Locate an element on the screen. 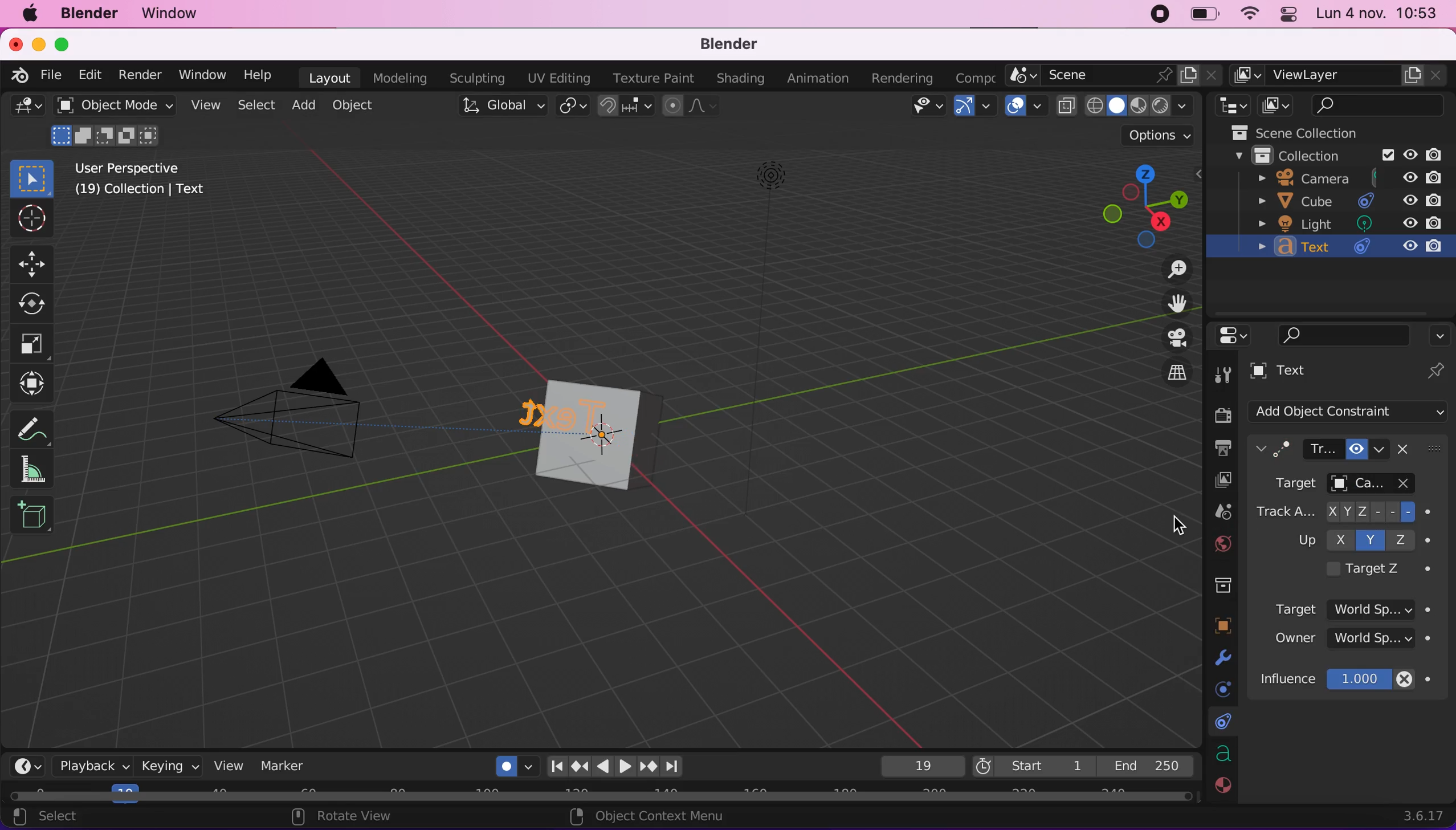 The image size is (1456, 830). mac logo is located at coordinates (34, 16).